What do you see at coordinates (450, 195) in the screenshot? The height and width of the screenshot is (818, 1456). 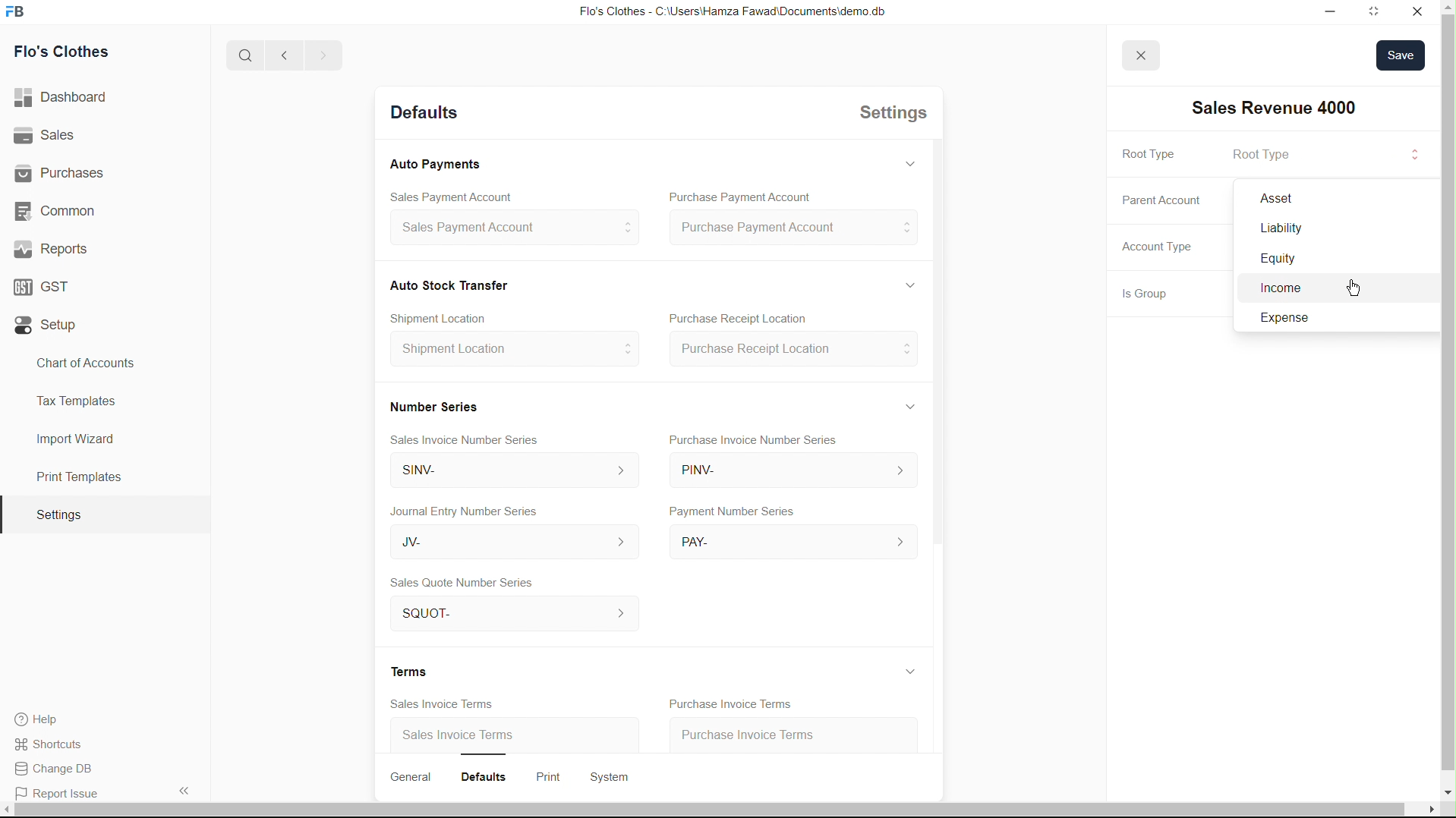 I see `Sales Payment Account` at bounding box center [450, 195].